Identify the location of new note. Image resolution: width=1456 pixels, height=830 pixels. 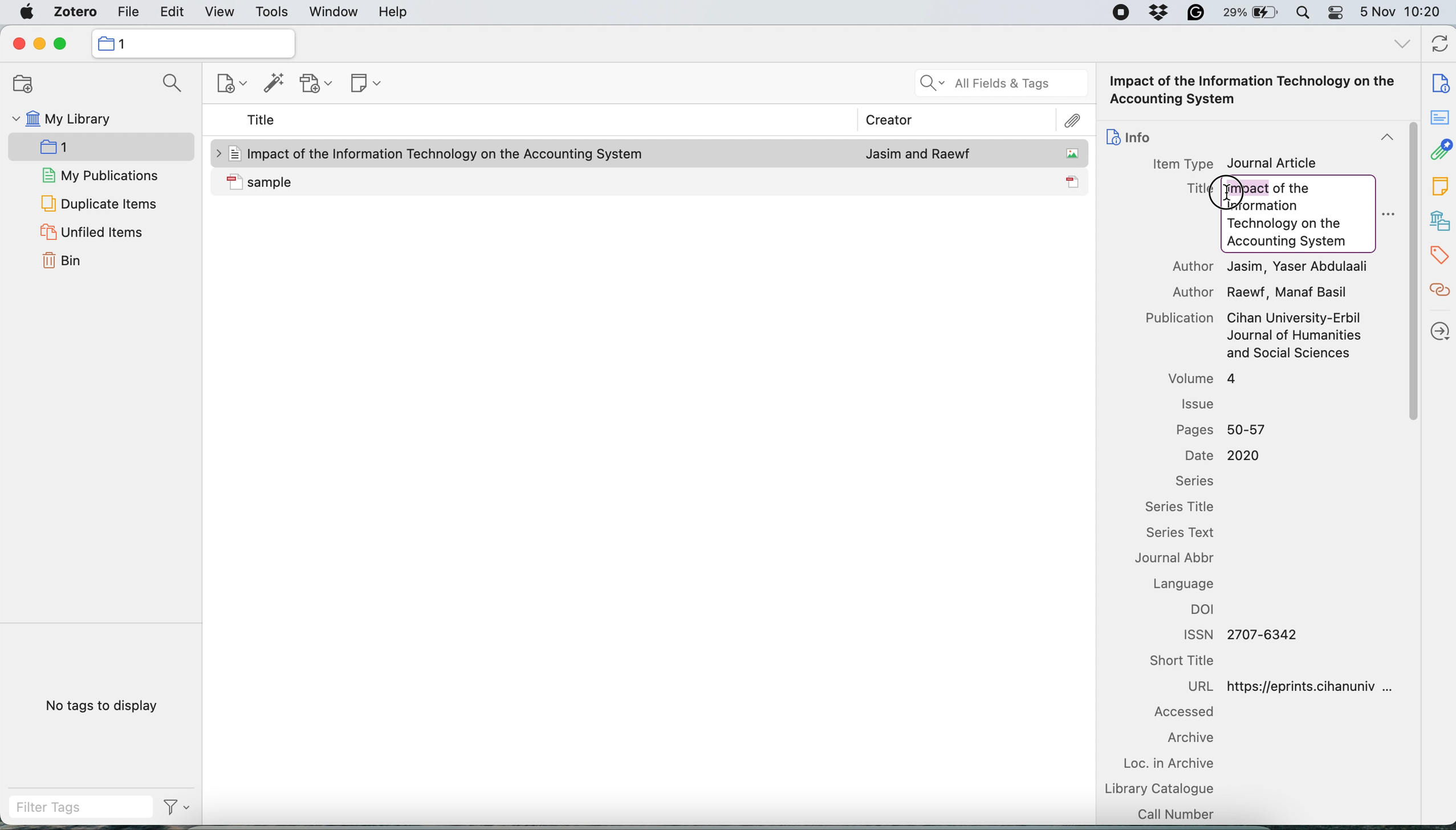
(364, 84).